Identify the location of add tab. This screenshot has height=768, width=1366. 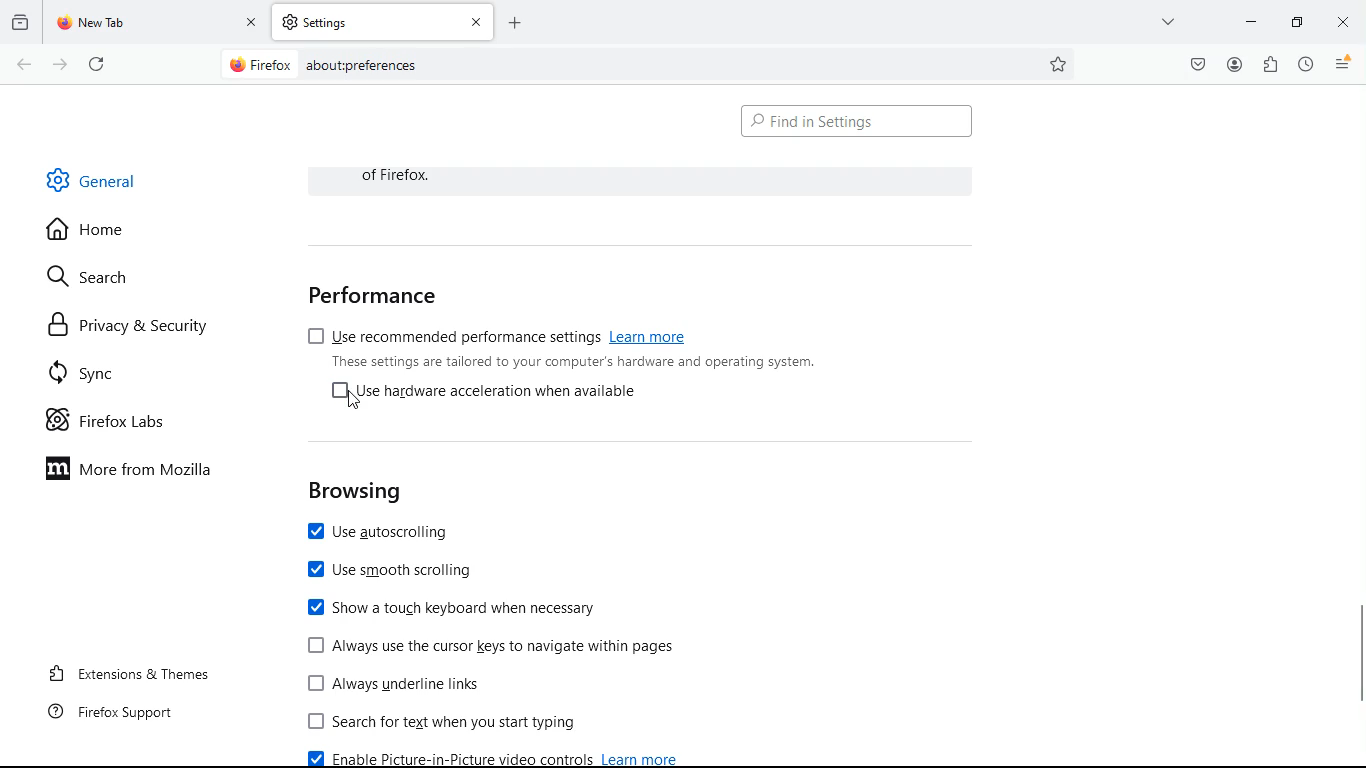
(515, 22).